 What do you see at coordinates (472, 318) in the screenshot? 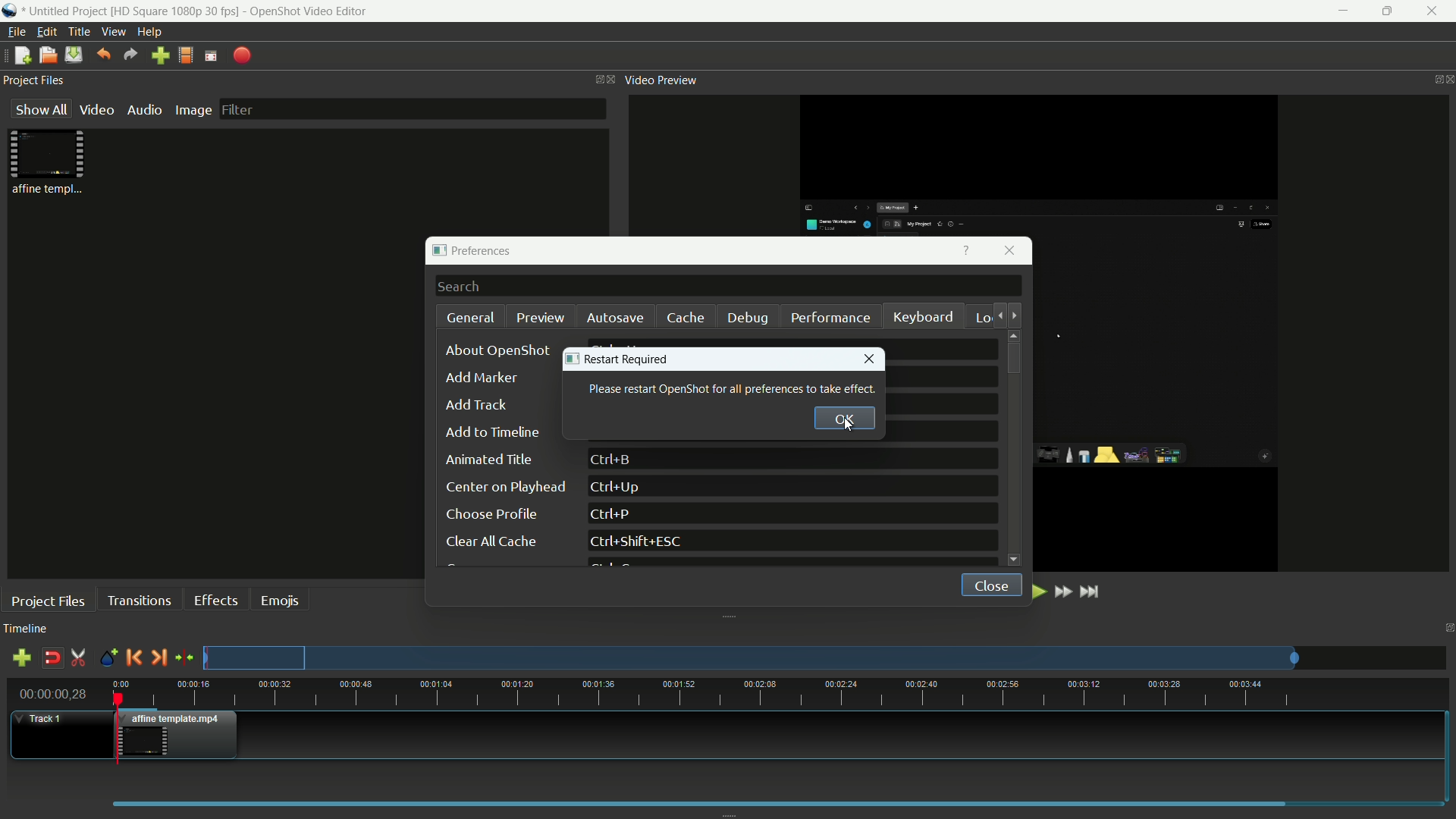
I see `general` at bounding box center [472, 318].